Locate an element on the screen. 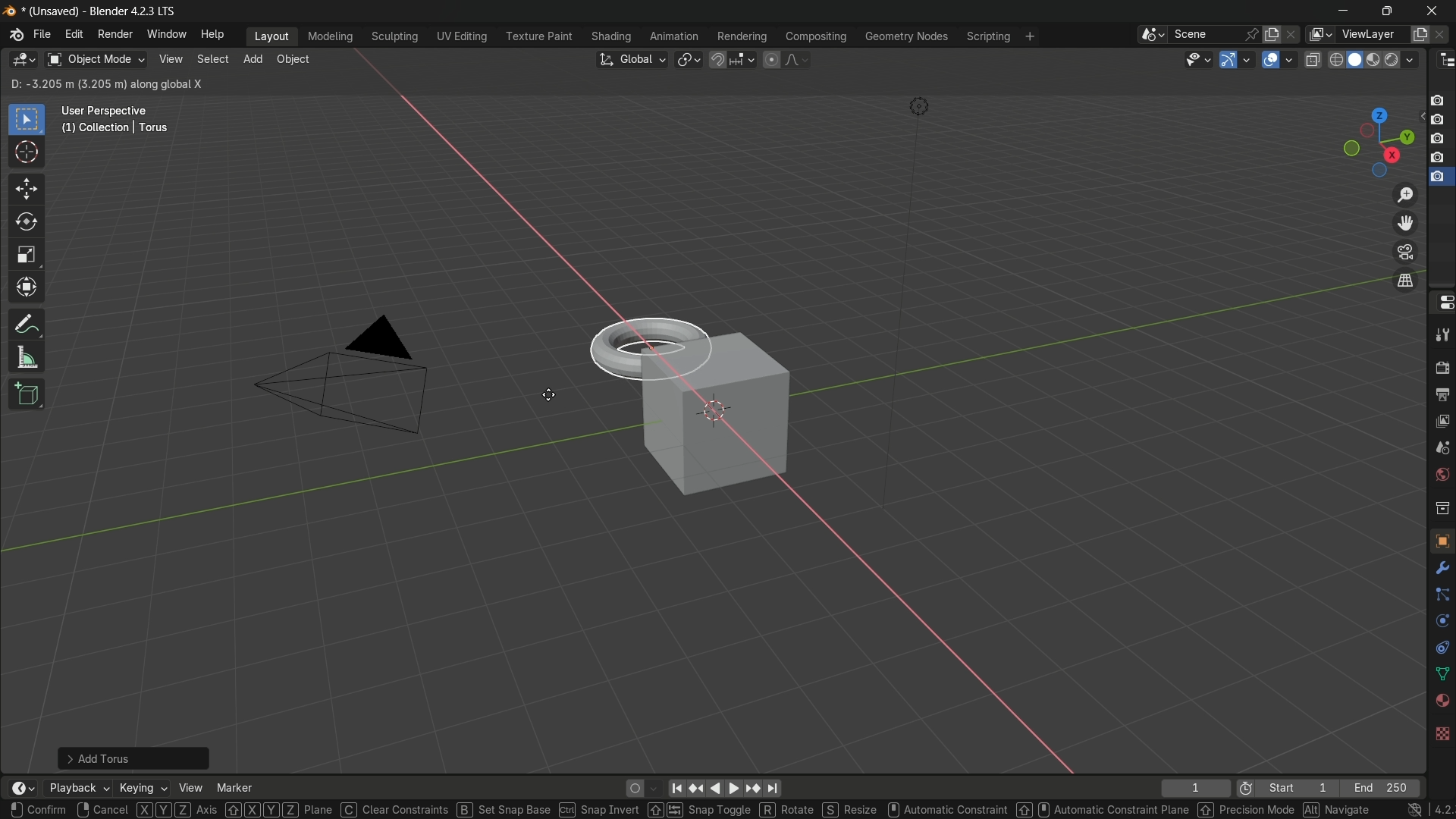 This screenshot has height=819, width=1456. texture is located at coordinates (1442, 733).